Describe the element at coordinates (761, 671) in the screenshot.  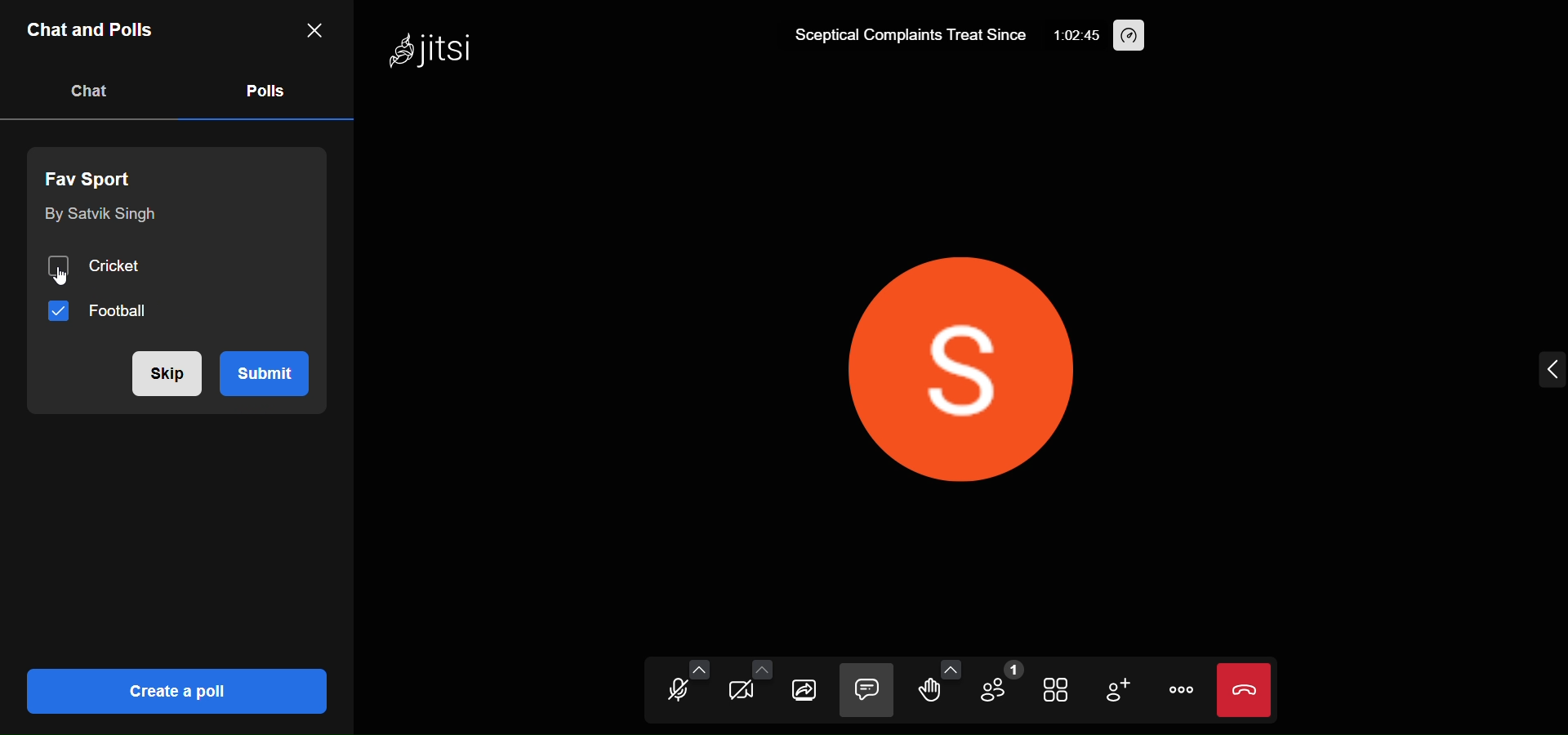
I see `more camera option` at that location.